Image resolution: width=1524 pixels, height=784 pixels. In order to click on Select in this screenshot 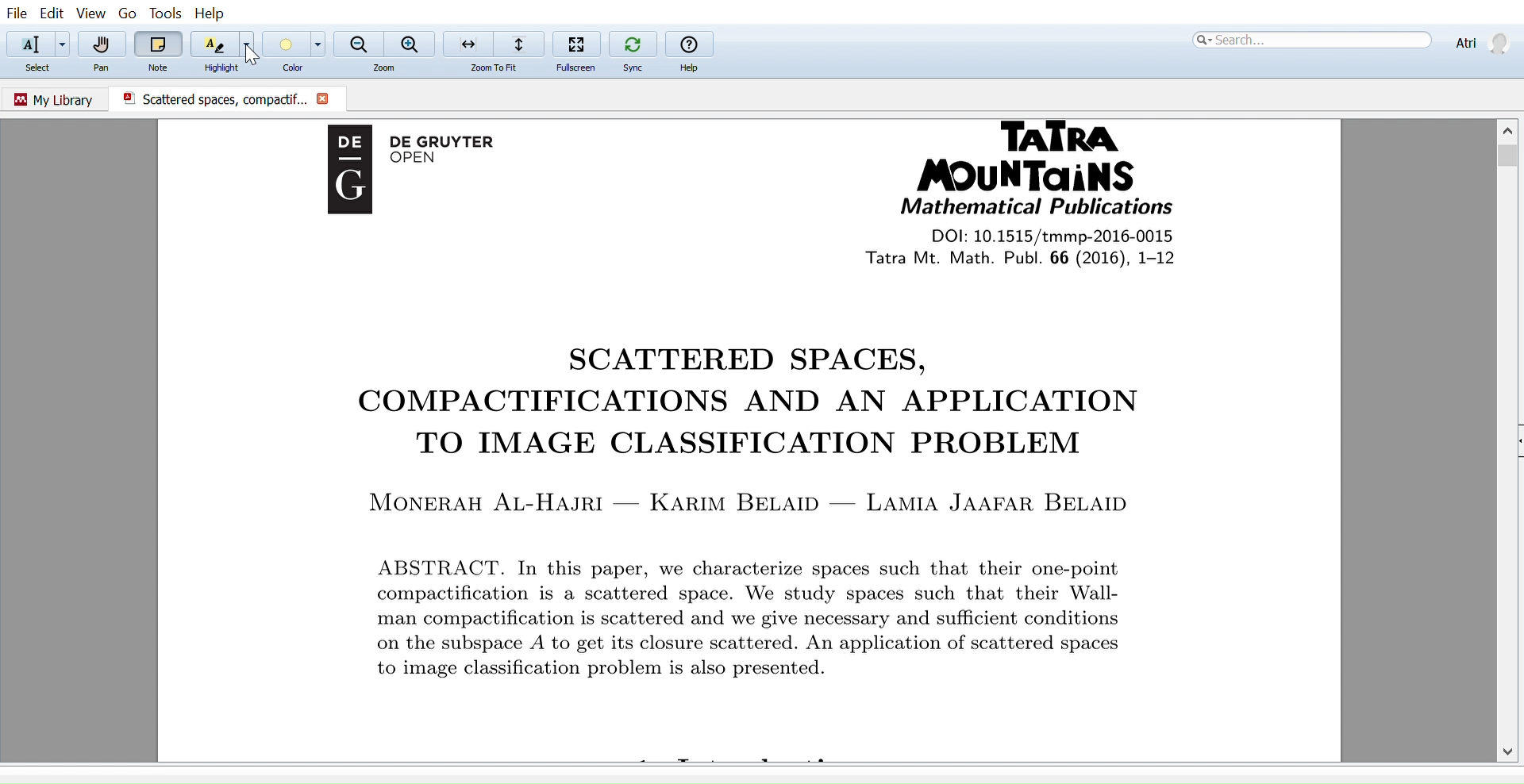, I will do `click(44, 69)`.